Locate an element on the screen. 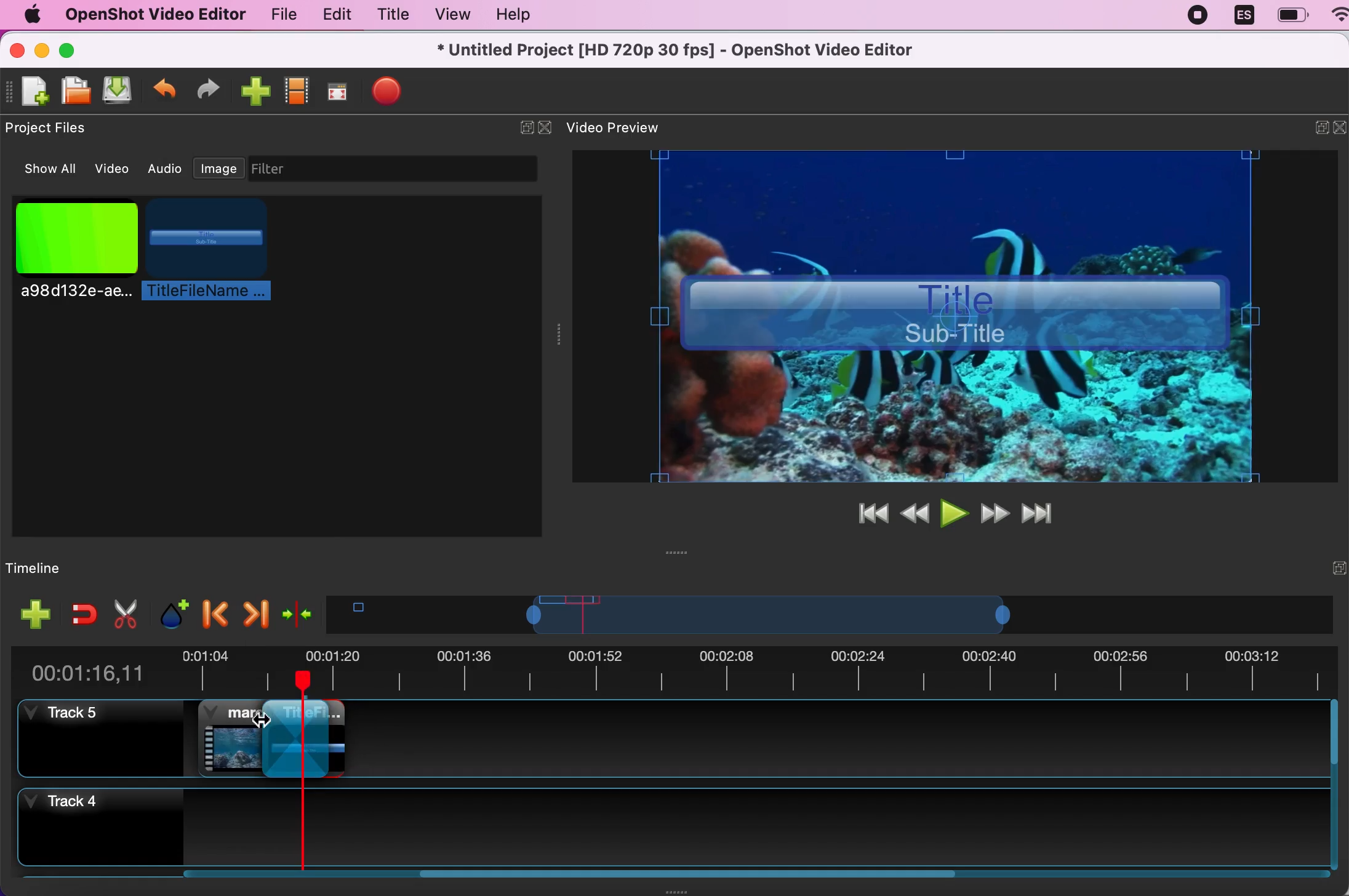 The width and height of the screenshot is (1349, 896). title is located at coordinates (207, 250).